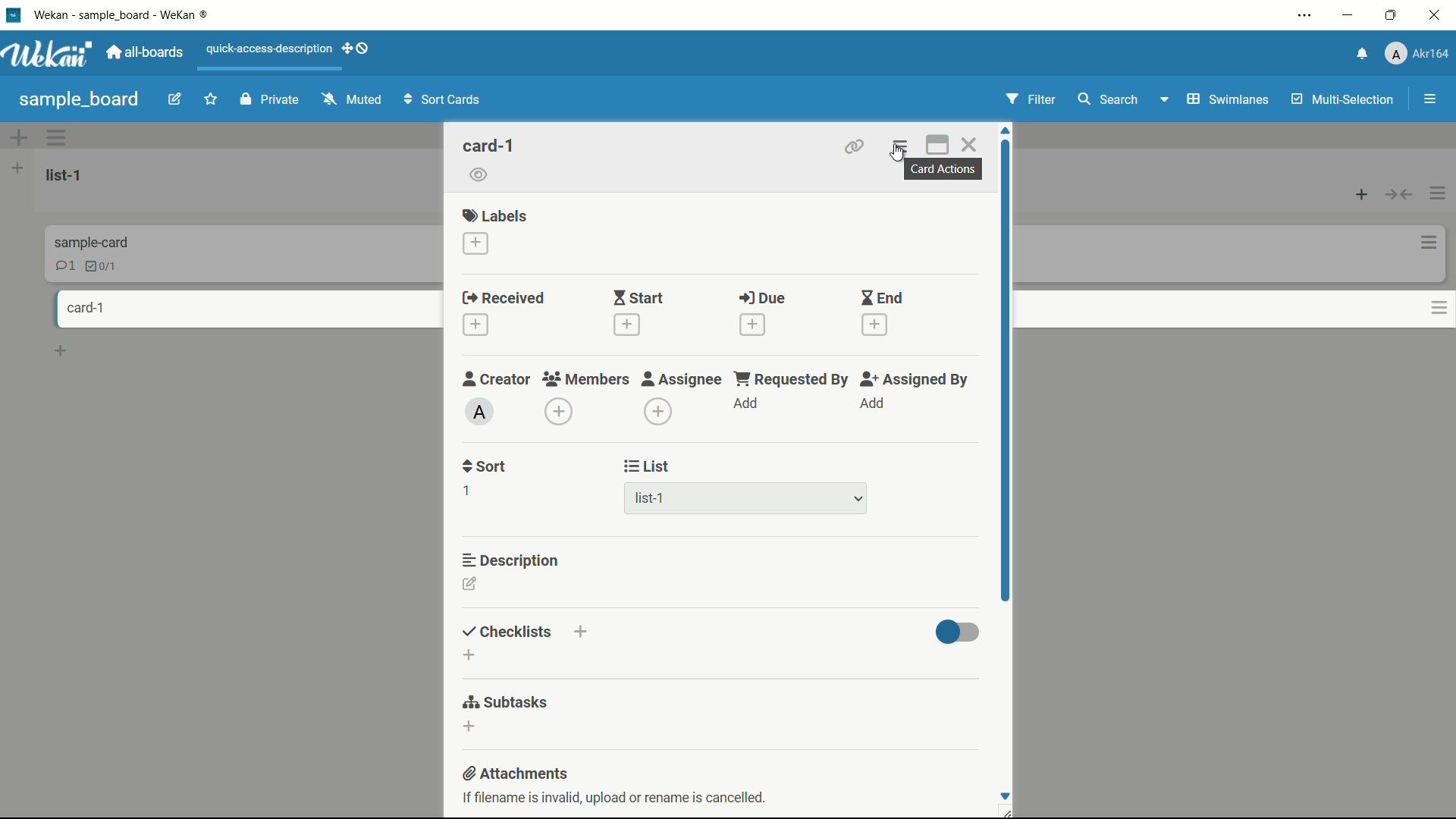 The height and width of the screenshot is (819, 1456). What do you see at coordinates (483, 467) in the screenshot?
I see `sort` at bounding box center [483, 467].